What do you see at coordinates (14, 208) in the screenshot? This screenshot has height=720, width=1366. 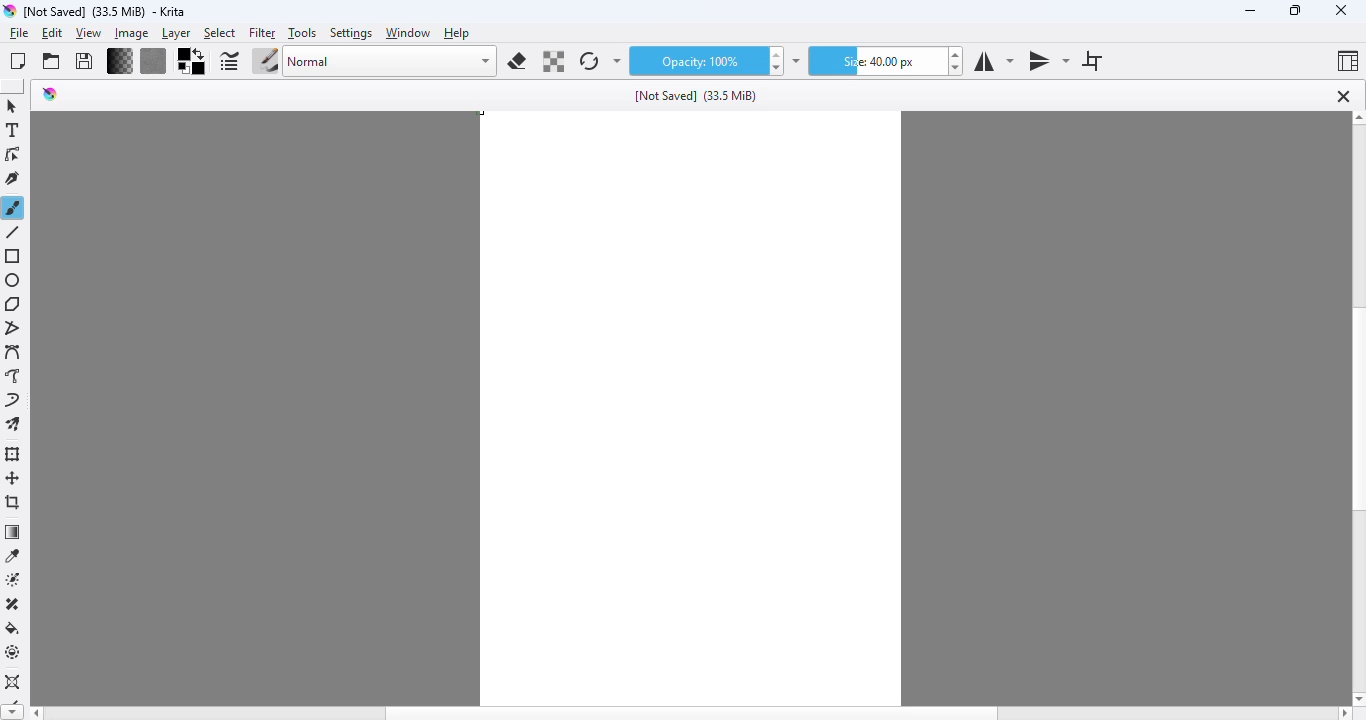 I see `freehand brush tool` at bounding box center [14, 208].